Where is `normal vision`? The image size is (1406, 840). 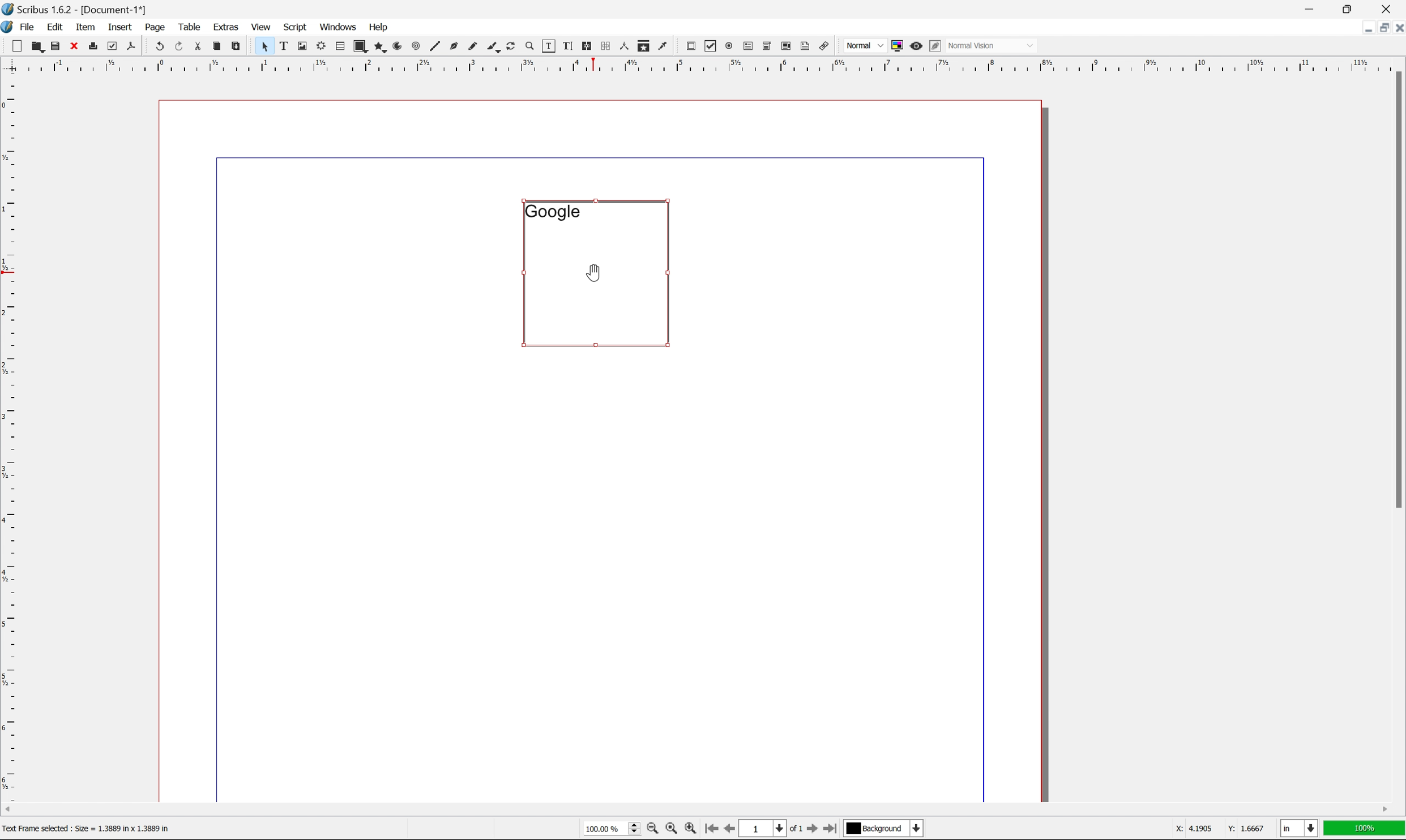 normal vision is located at coordinates (993, 45).